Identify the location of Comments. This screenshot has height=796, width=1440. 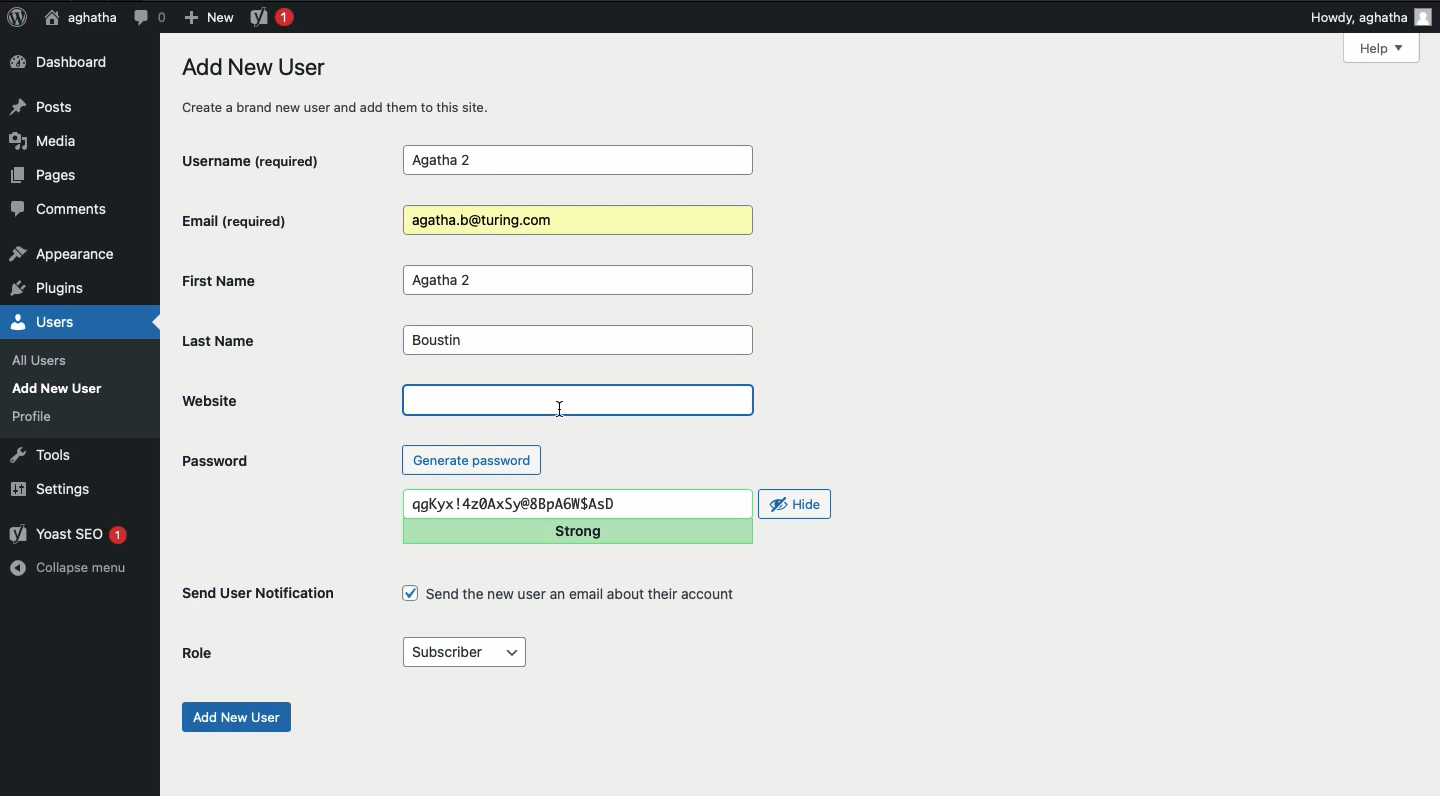
(61, 212).